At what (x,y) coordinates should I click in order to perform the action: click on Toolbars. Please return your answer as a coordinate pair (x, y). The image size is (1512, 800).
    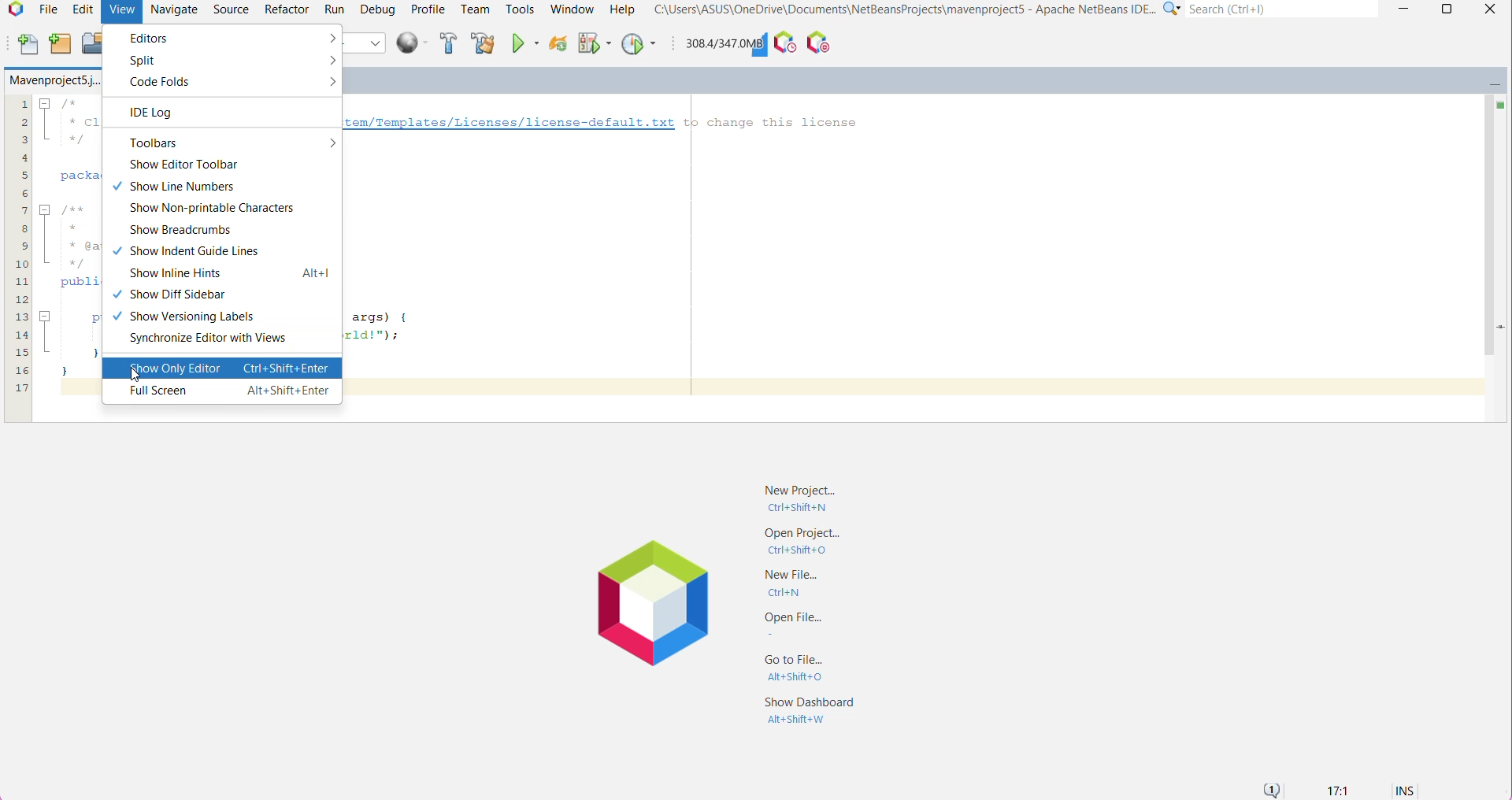
    Looking at the image, I should click on (228, 143).